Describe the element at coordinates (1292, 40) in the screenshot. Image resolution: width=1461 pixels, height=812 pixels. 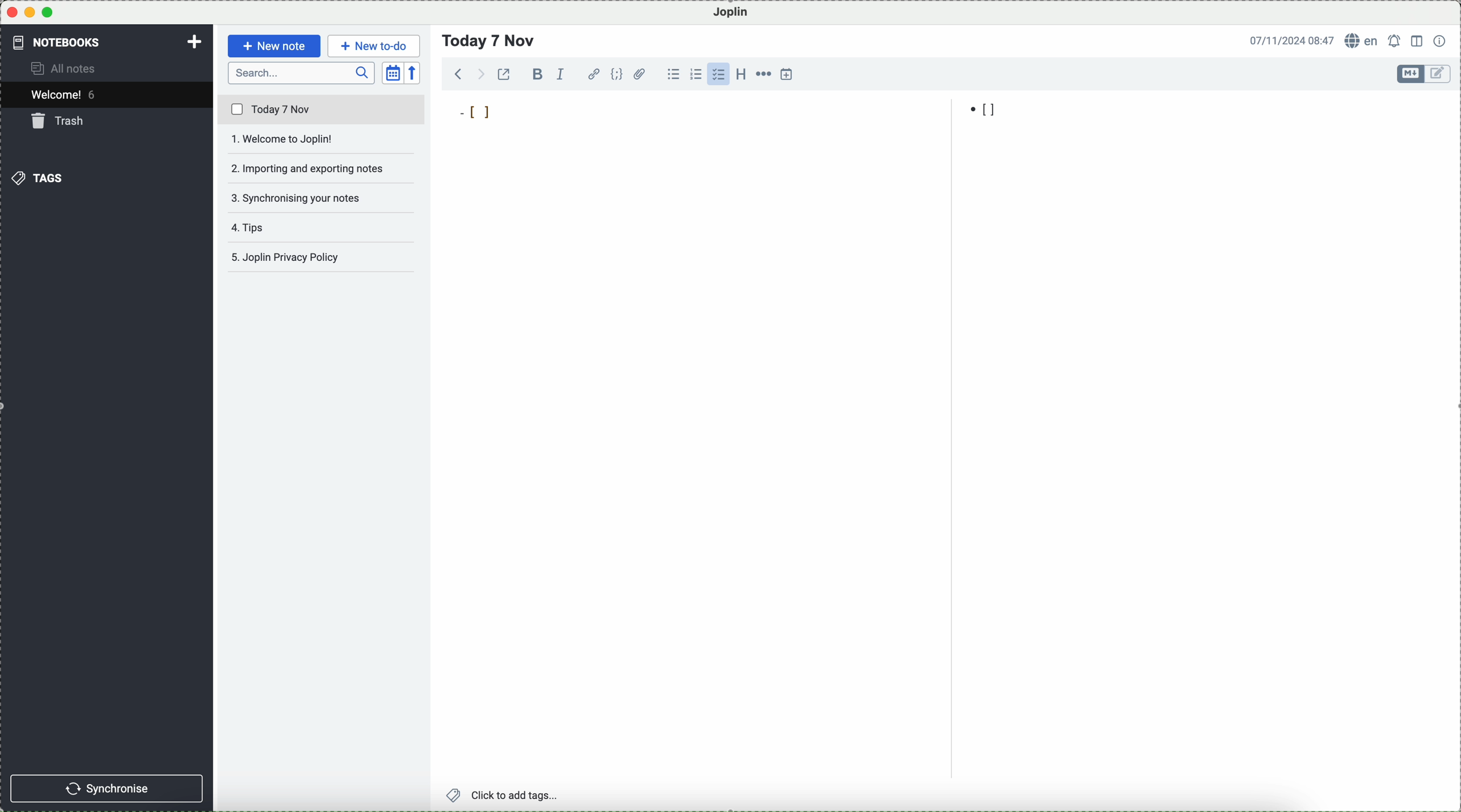
I see `date and hour` at that location.